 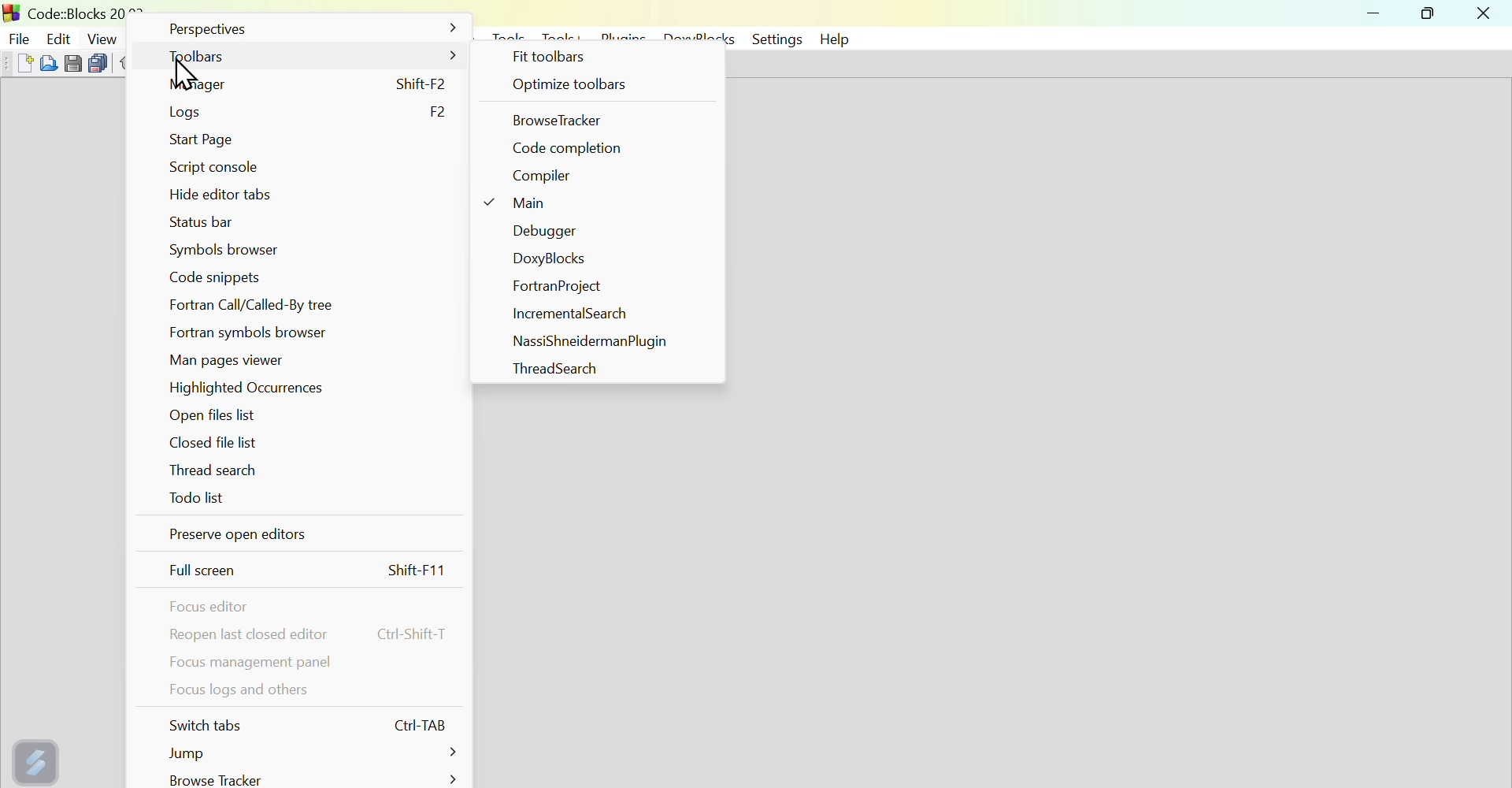 What do you see at coordinates (73, 61) in the screenshot?
I see `` at bounding box center [73, 61].